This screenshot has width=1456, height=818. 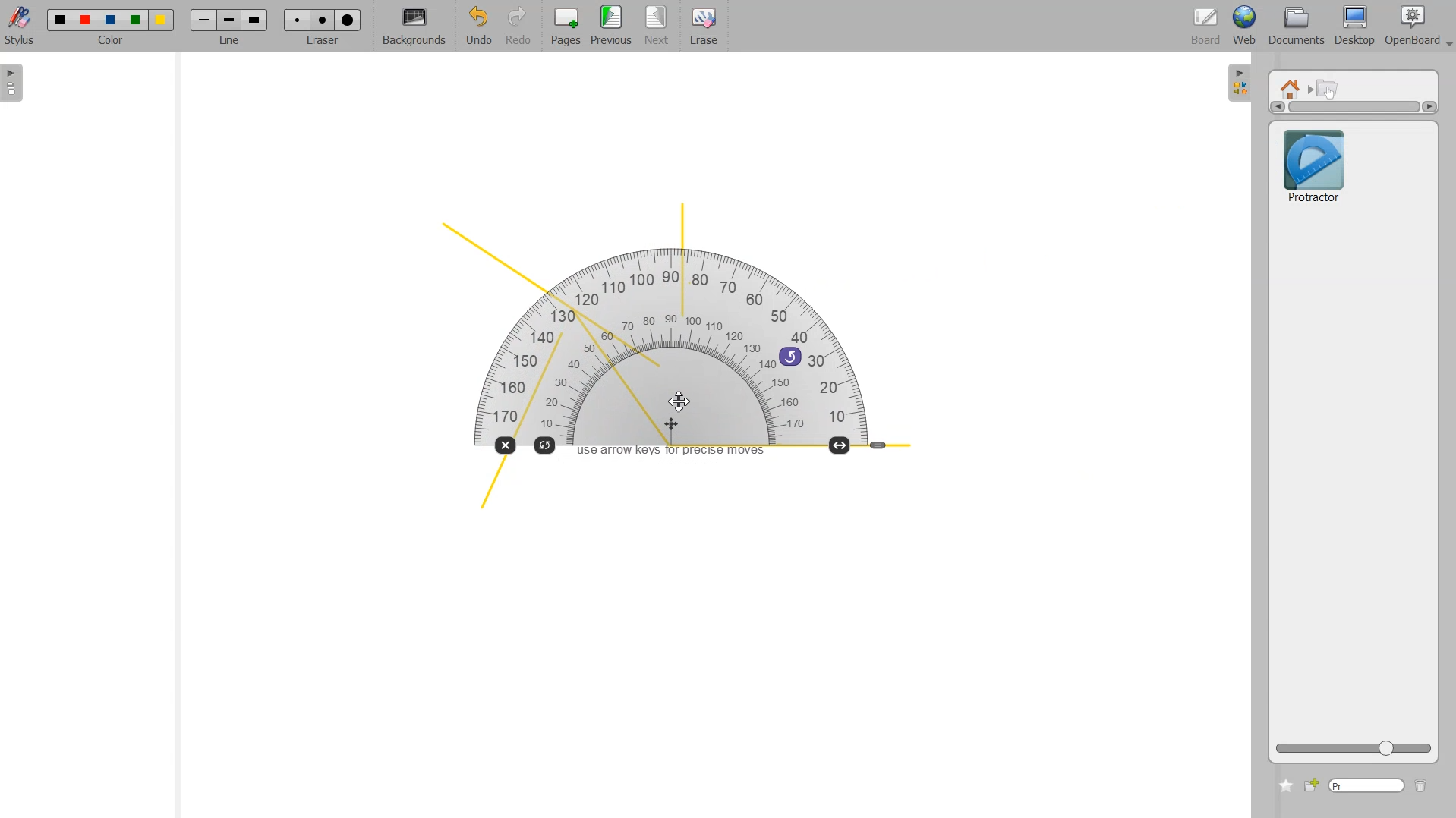 What do you see at coordinates (476, 27) in the screenshot?
I see `Undo` at bounding box center [476, 27].